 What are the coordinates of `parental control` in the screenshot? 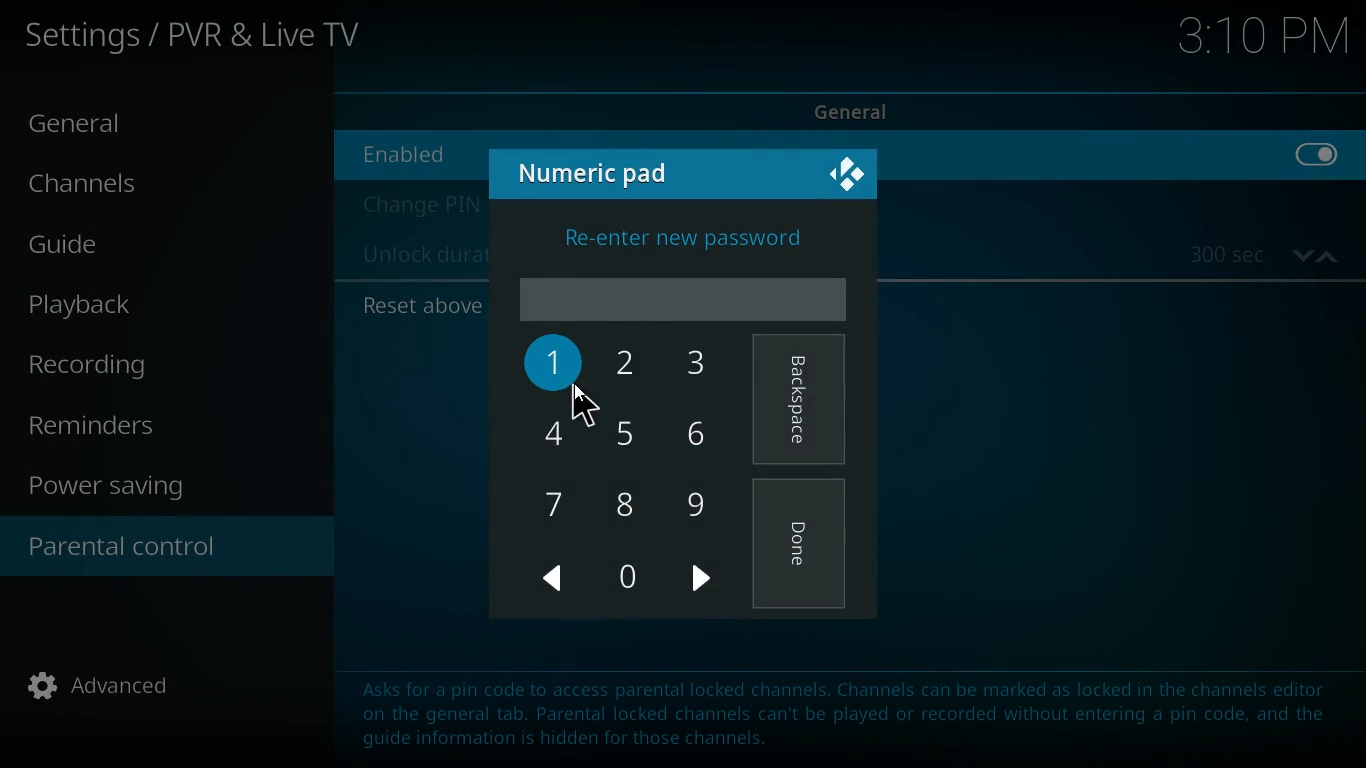 It's located at (167, 549).